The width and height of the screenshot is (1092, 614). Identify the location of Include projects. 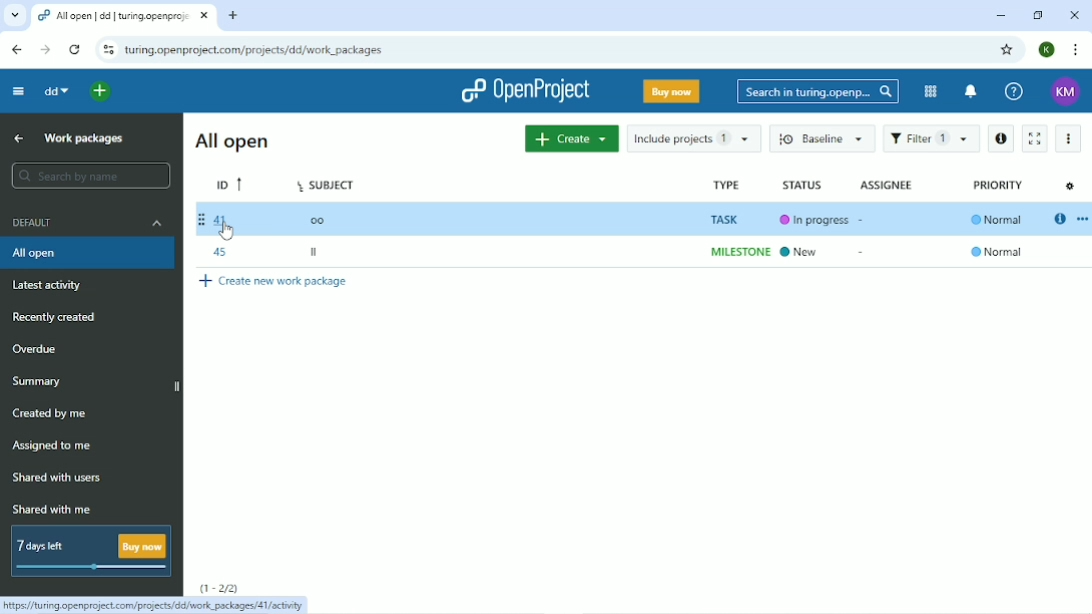
(693, 140).